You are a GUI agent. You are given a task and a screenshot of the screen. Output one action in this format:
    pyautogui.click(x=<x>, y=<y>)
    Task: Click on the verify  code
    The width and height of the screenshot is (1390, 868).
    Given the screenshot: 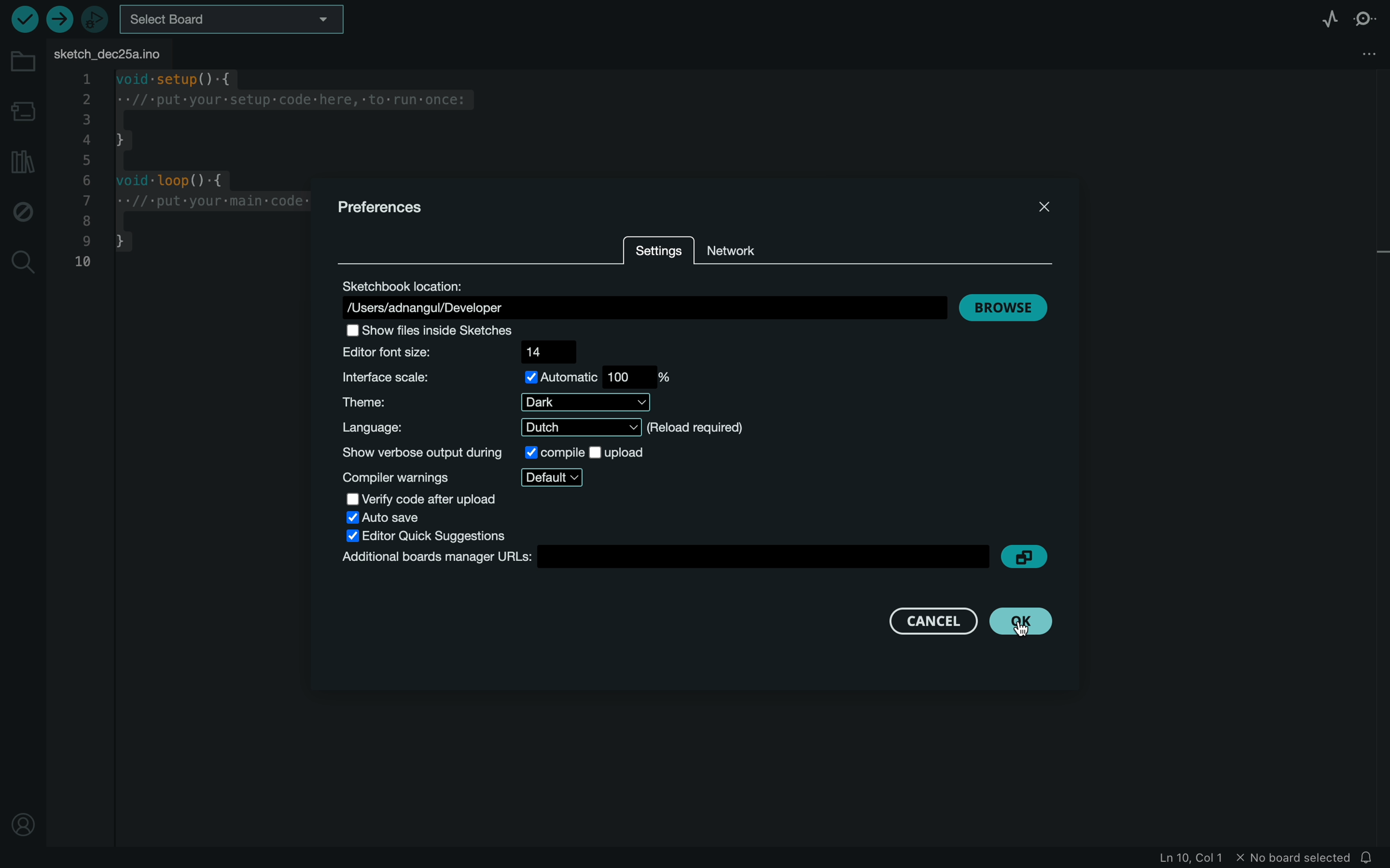 What is the action you would take?
    pyautogui.click(x=422, y=498)
    